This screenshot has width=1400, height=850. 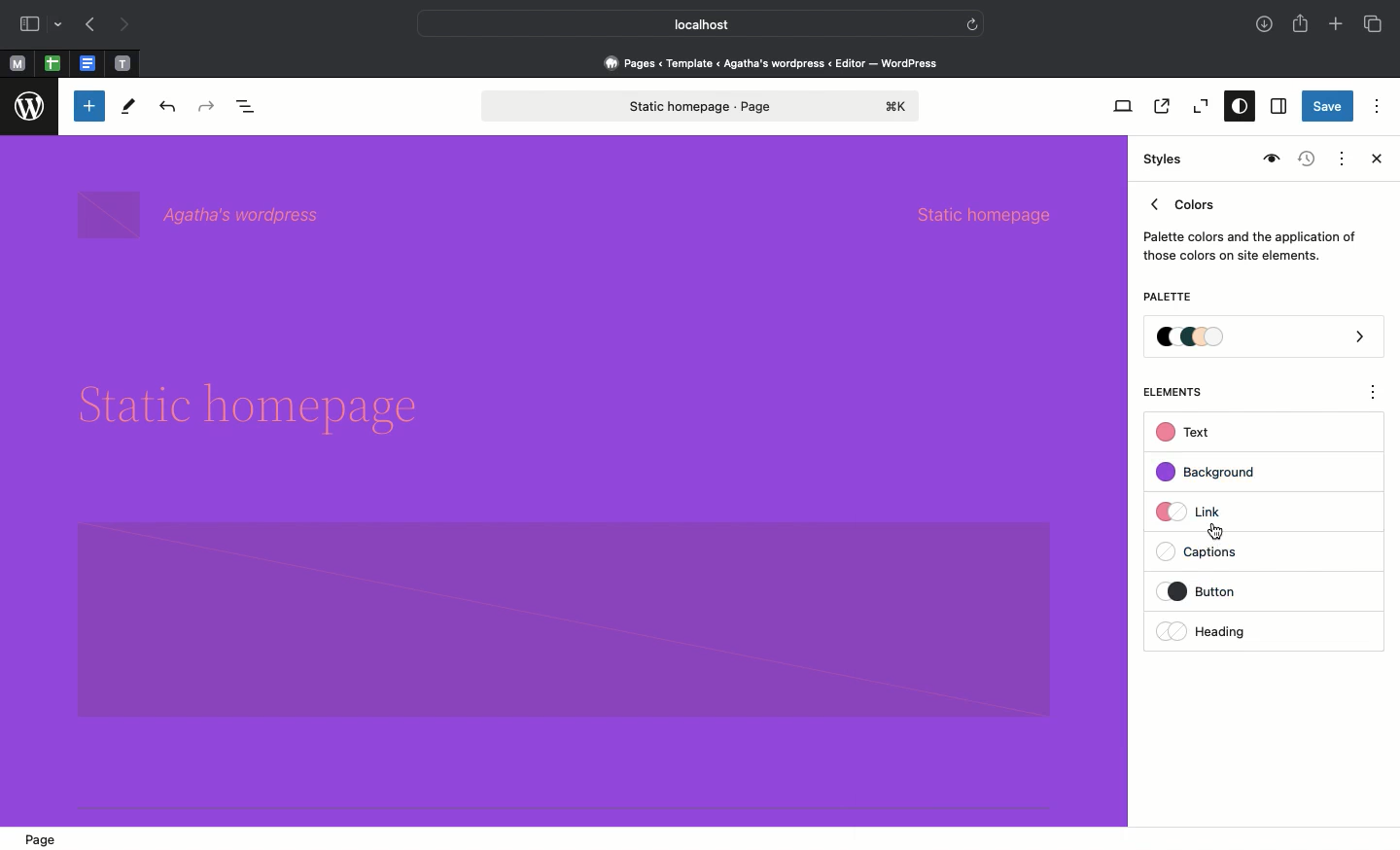 What do you see at coordinates (778, 62) in the screenshot?
I see `Pages < Template <Agatha's wordpress < editor - wordpress` at bounding box center [778, 62].